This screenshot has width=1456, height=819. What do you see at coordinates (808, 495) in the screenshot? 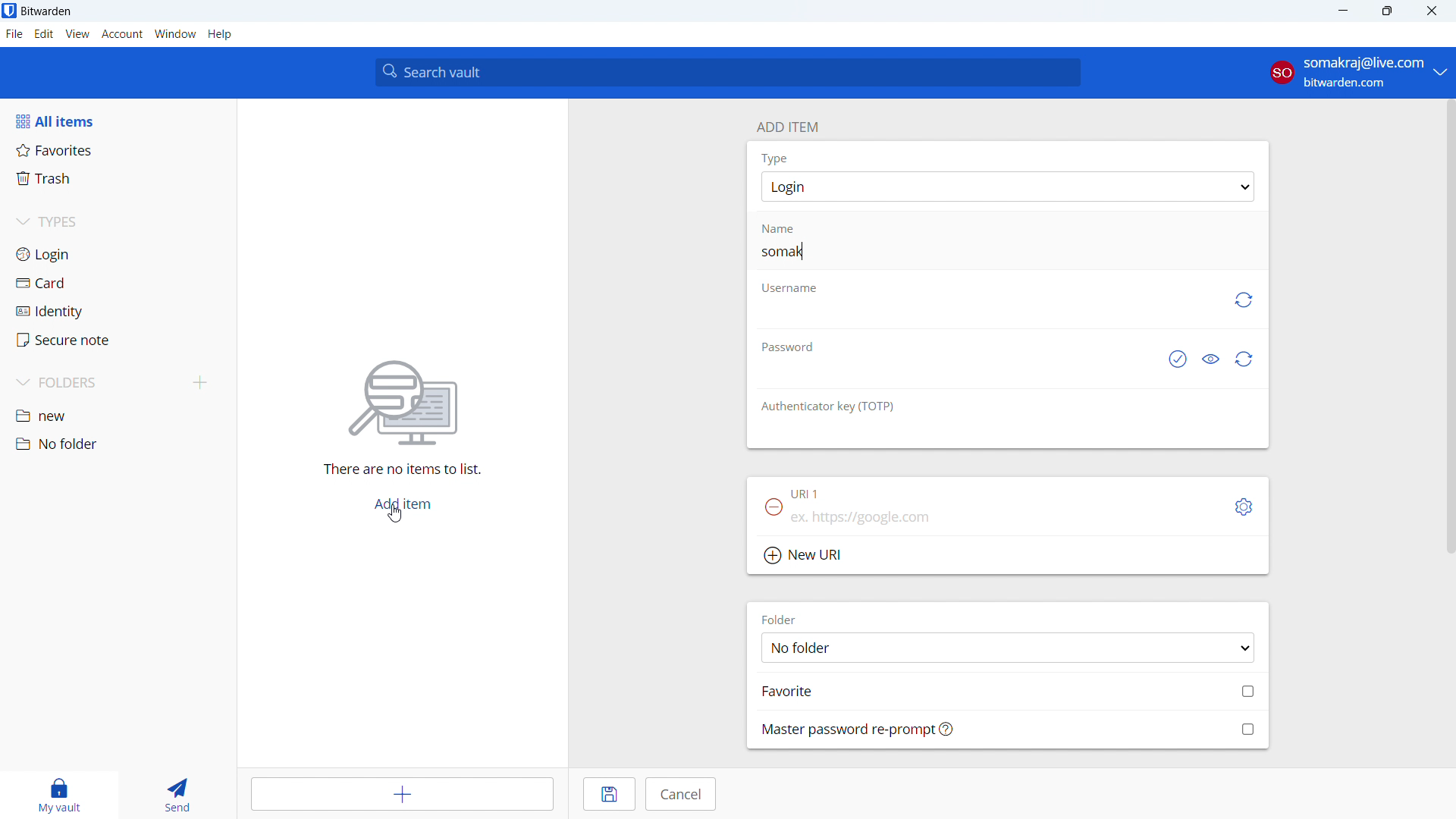
I see `URL 1` at bounding box center [808, 495].